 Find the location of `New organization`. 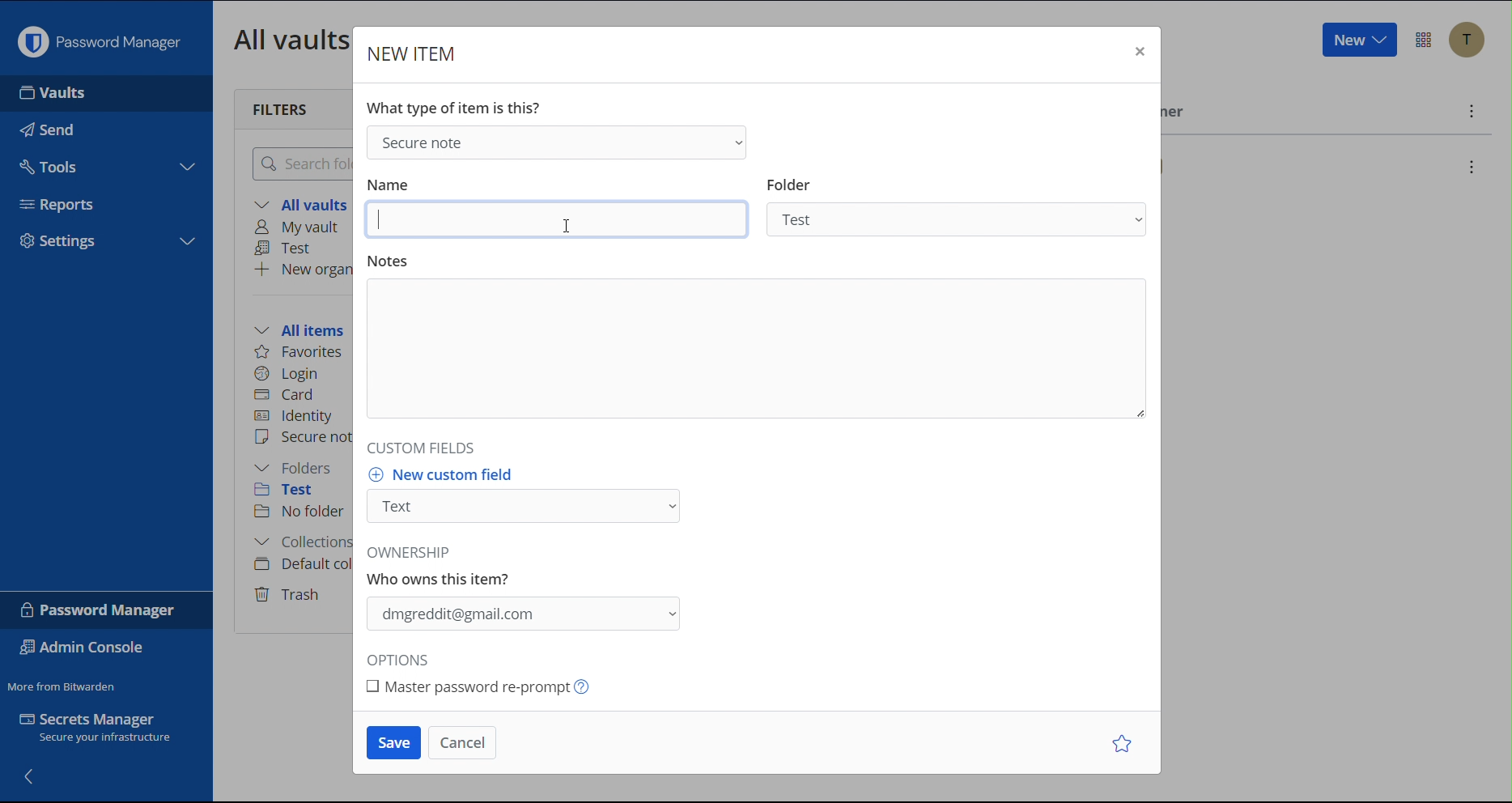

New organization is located at coordinates (302, 269).